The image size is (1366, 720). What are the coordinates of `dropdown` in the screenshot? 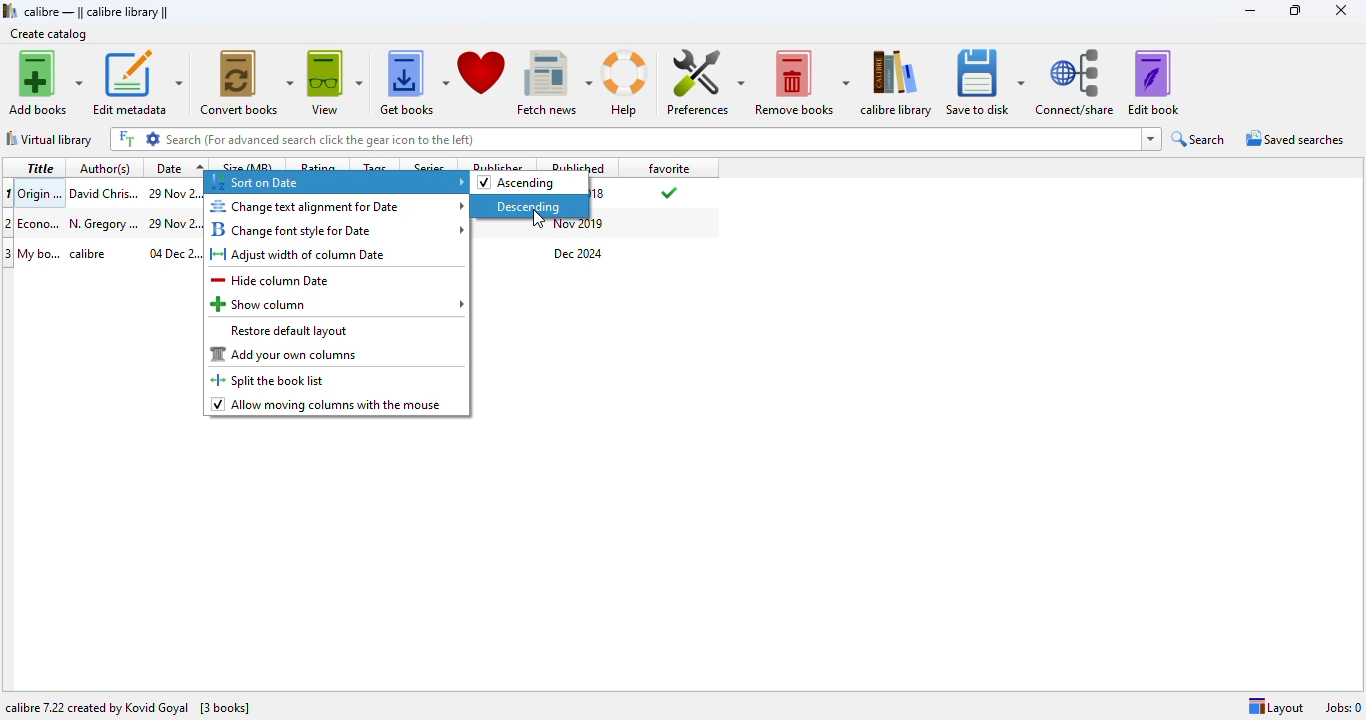 It's located at (1151, 139).